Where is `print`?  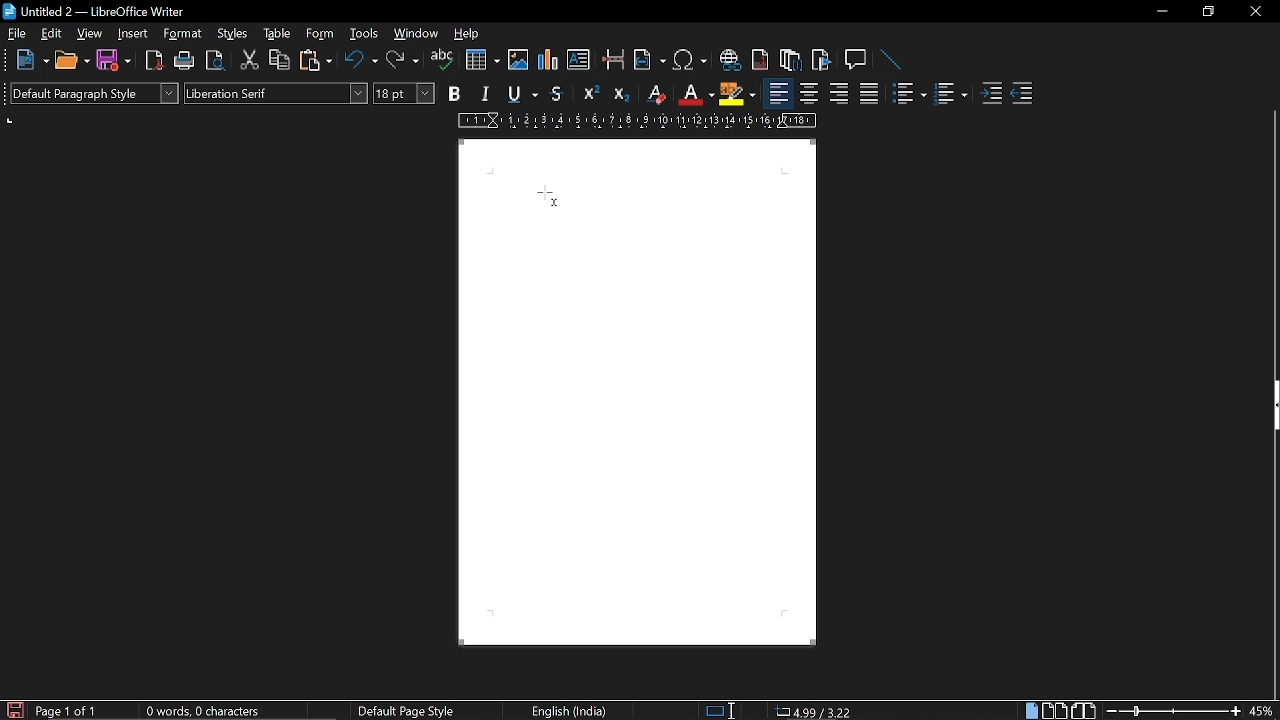 print is located at coordinates (182, 60).